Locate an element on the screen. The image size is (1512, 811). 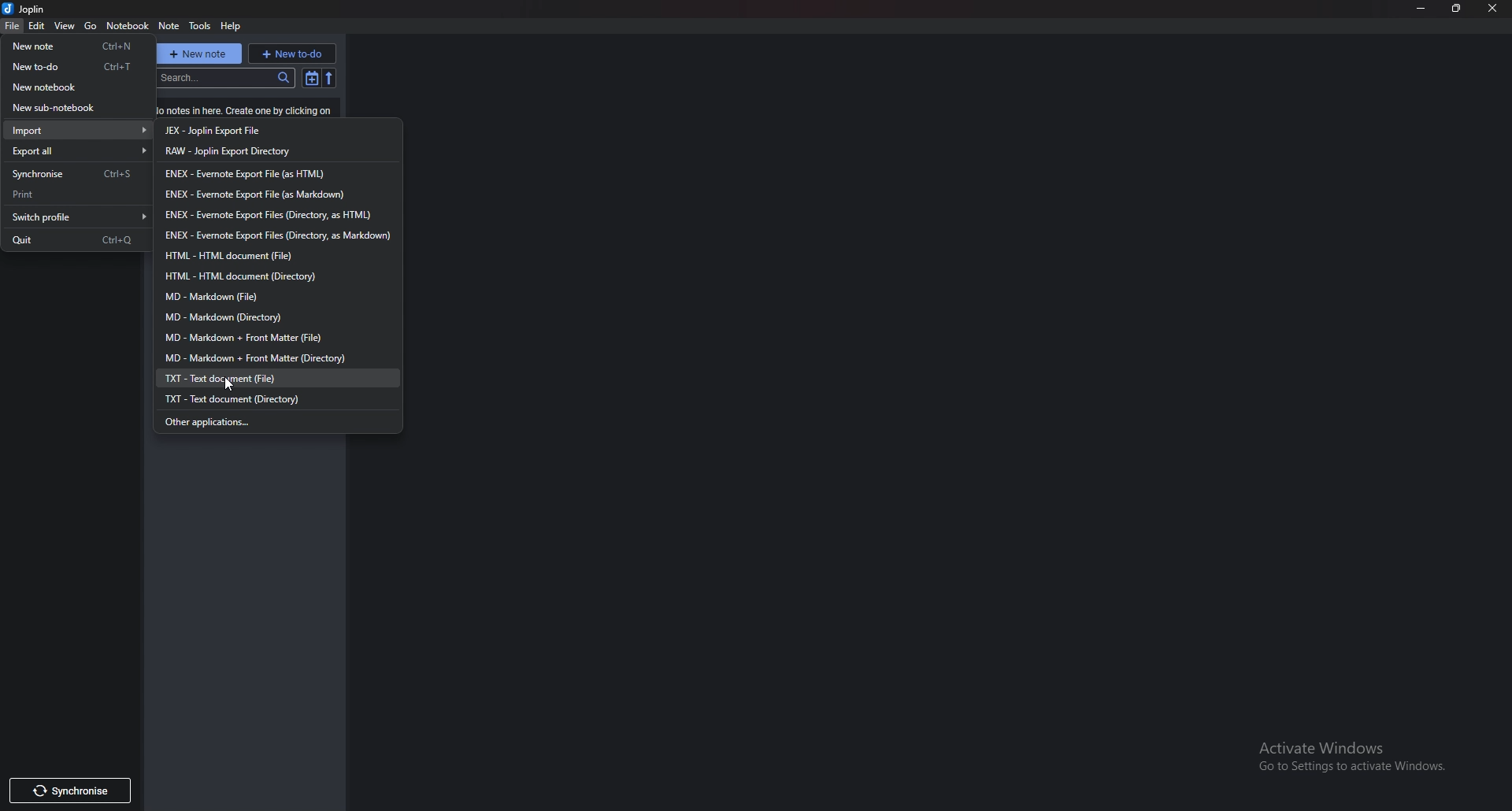
txt directory is located at coordinates (243, 398).